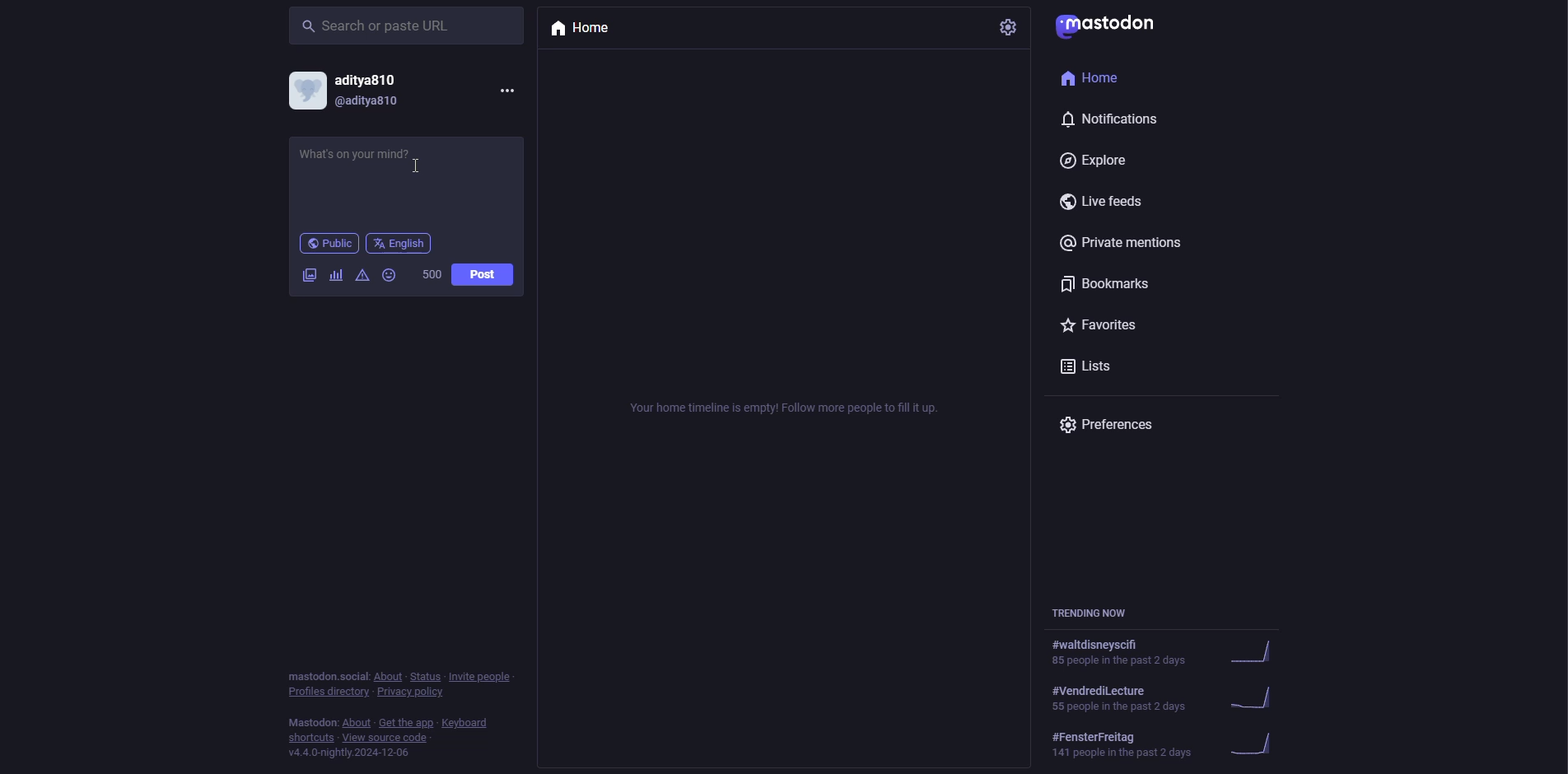 This screenshot has height=774, width=1568. I want to click on notifications, so click(1112, 119).